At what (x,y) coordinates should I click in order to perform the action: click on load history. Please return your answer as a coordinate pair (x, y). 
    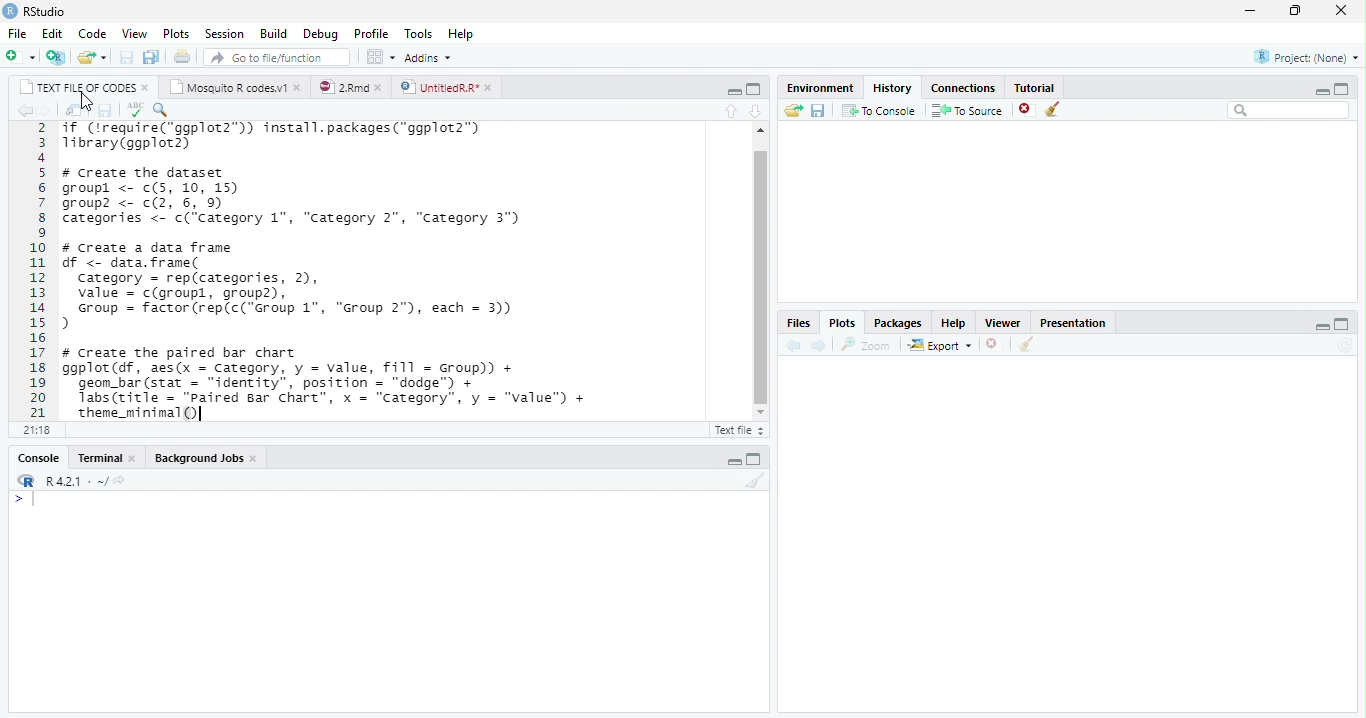
    Looking at the image, I should click on (792, 108).